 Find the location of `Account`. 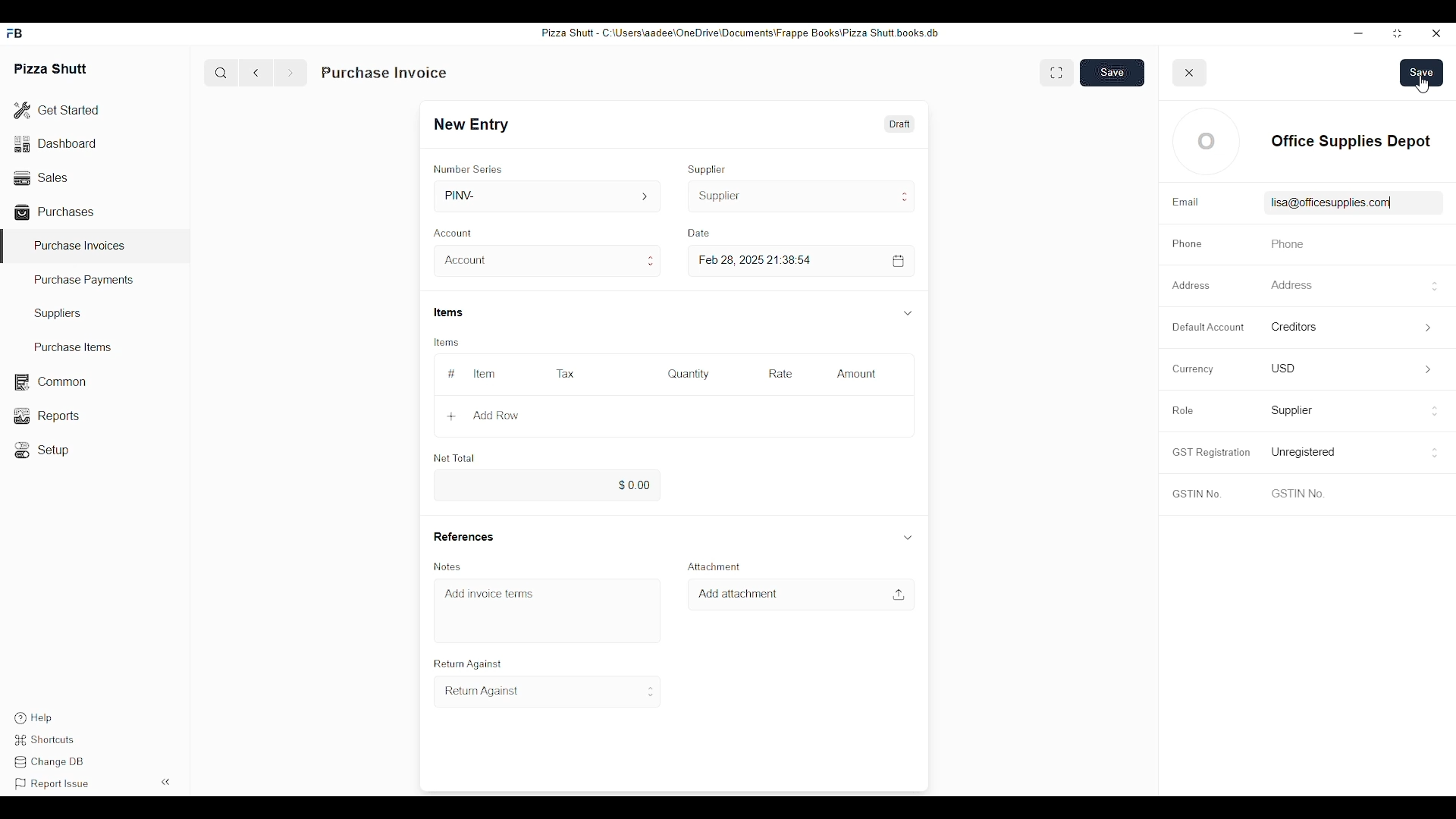

Account is located at coordinates (546, 261).